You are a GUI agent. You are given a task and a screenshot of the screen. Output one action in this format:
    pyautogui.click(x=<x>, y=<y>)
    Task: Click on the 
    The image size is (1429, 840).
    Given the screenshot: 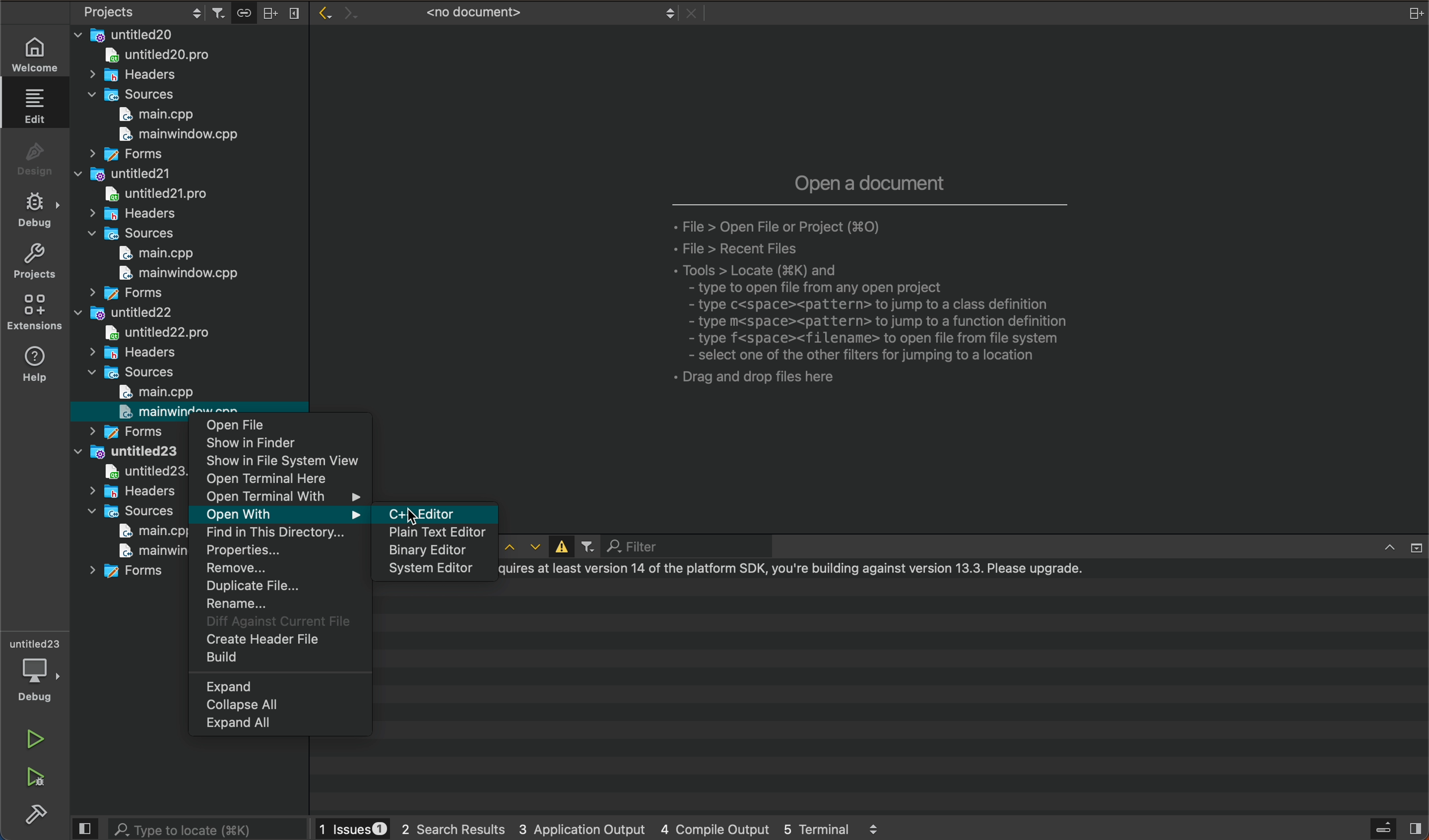 What is the action you would take?
    pyautogui.click(x=559, y=547)
    